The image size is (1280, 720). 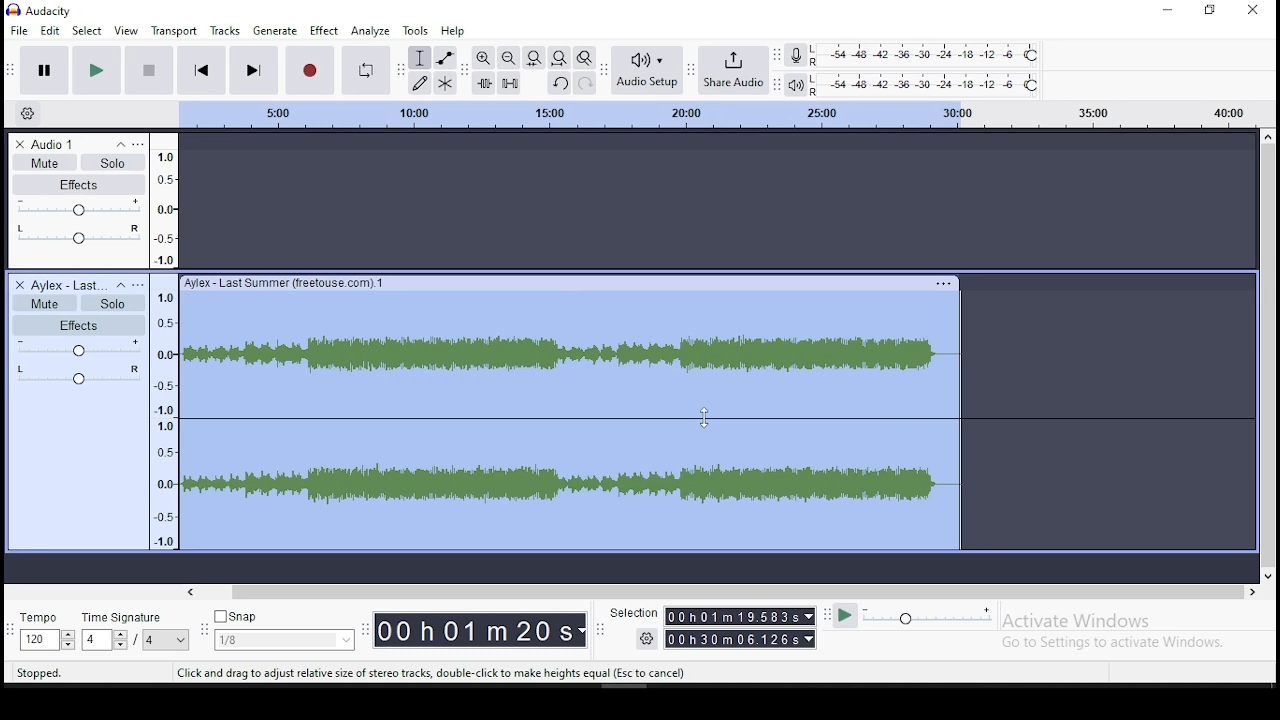 What do you see at coordinates (650, 70) in the screenshot?
I see `audio setup` at bounding box center [650, 70].